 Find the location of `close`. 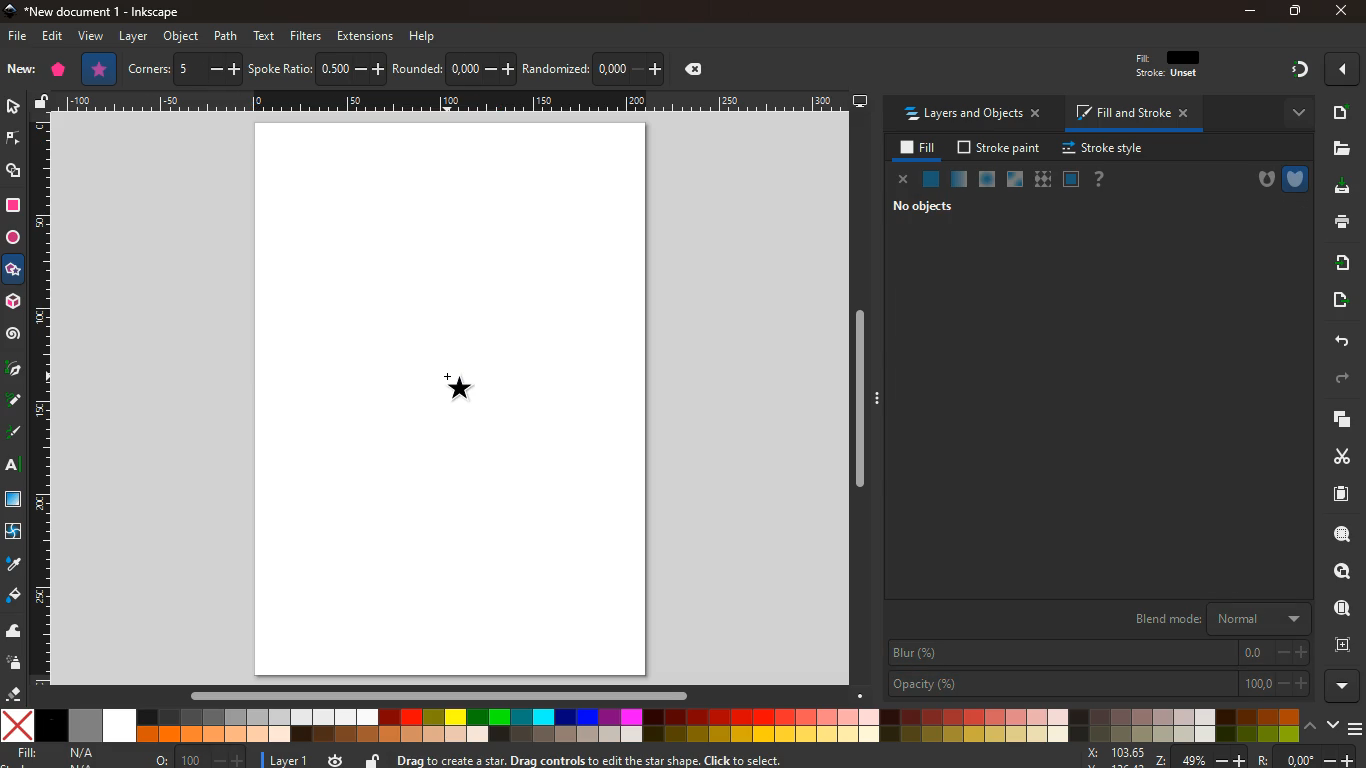

close is located at coordinates (903, 180).